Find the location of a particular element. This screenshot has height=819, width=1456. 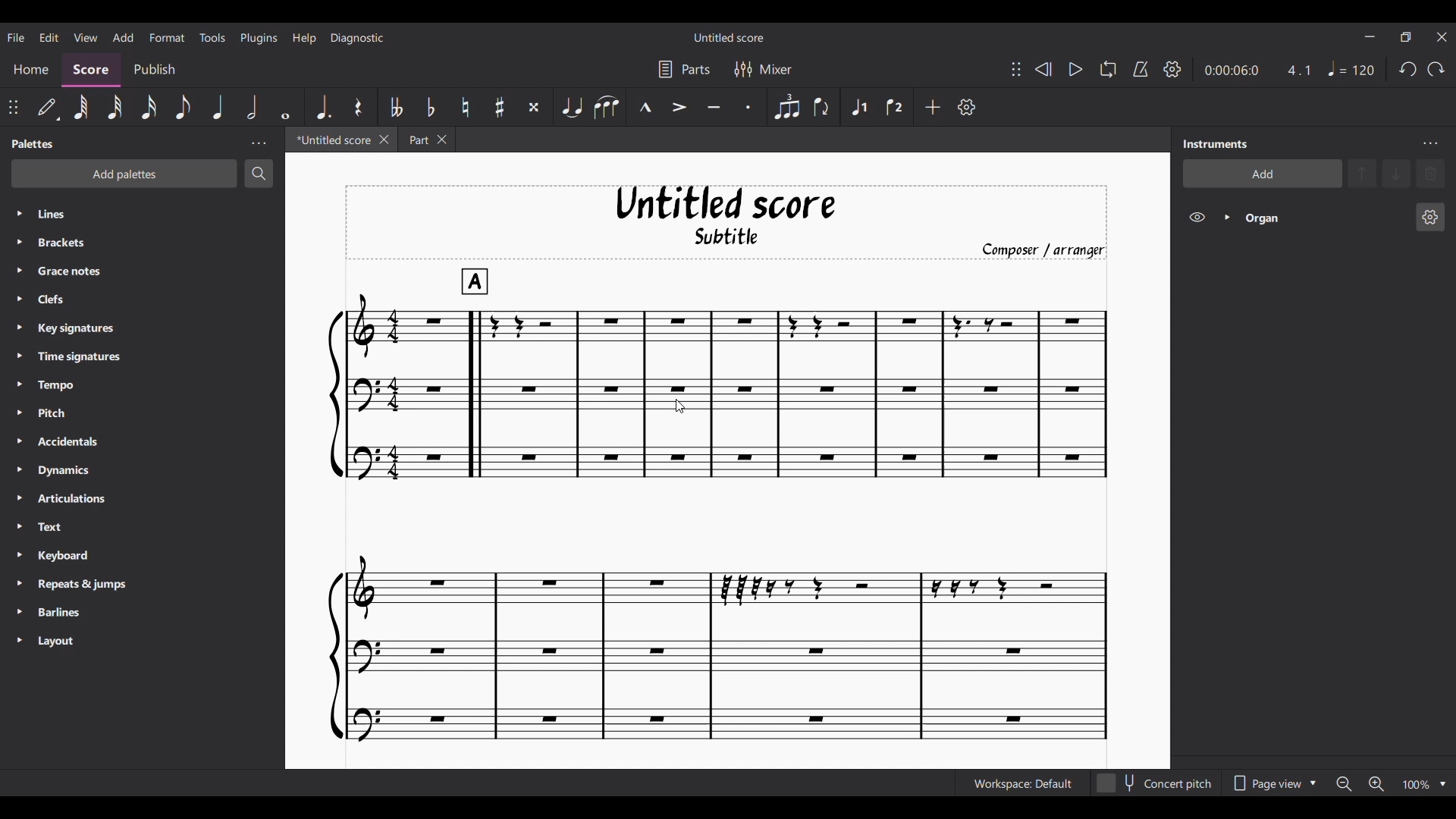

Move up is located at coordinates (1362, 174).